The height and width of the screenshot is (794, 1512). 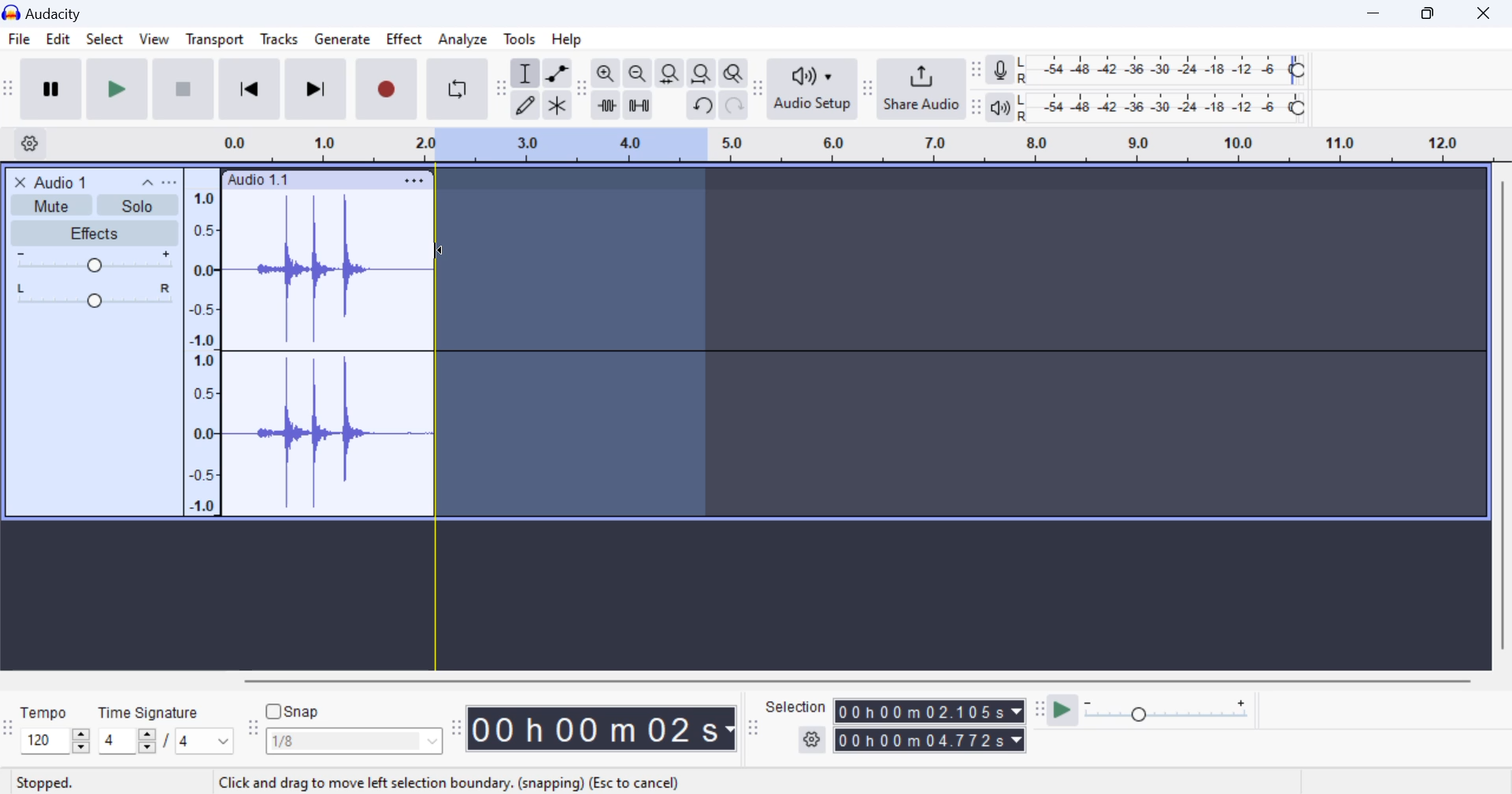 I want to click on snap toggle, so click(x=301, y=711).